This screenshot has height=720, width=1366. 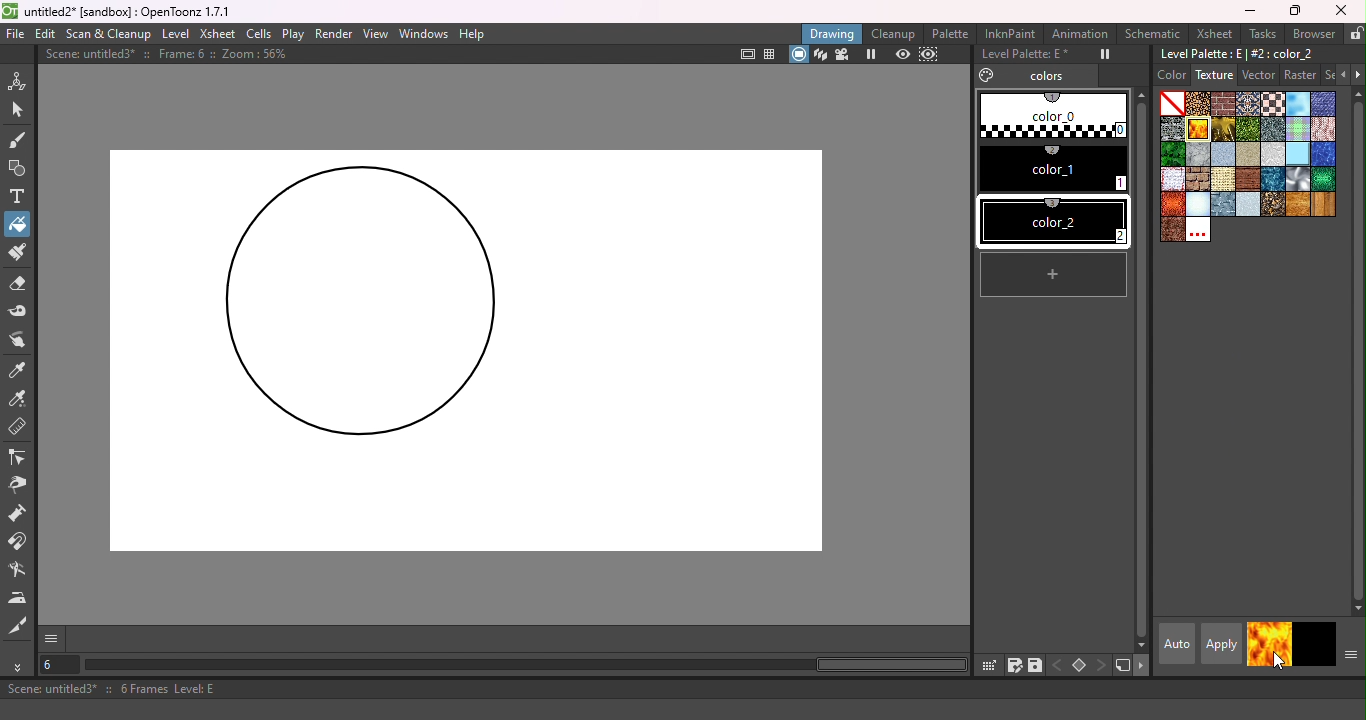 I want to click on Render, so click(x=336, y=34).